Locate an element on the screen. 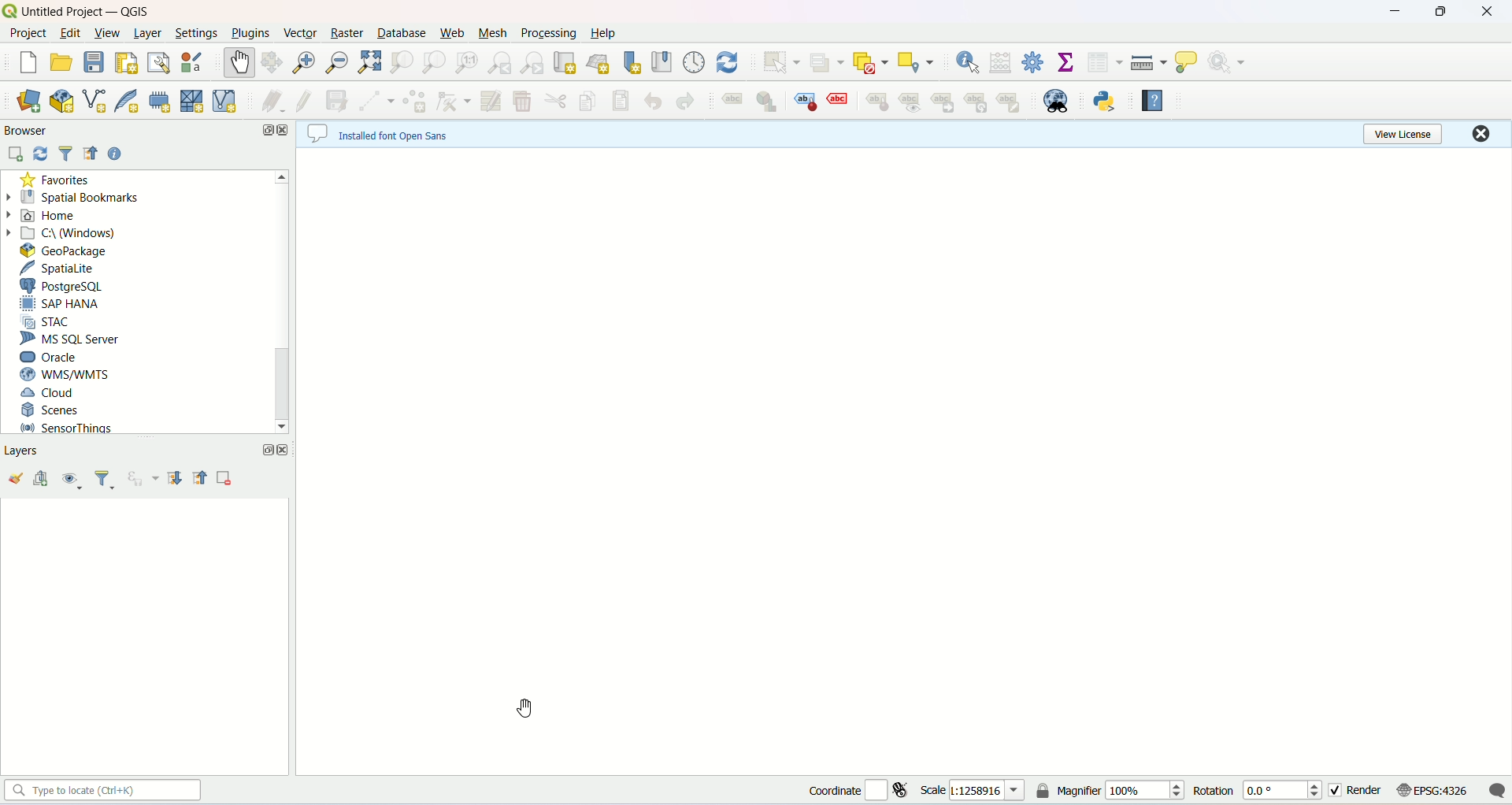 The image size is (1512, 805). maximize is located at coordinates (266, 451).